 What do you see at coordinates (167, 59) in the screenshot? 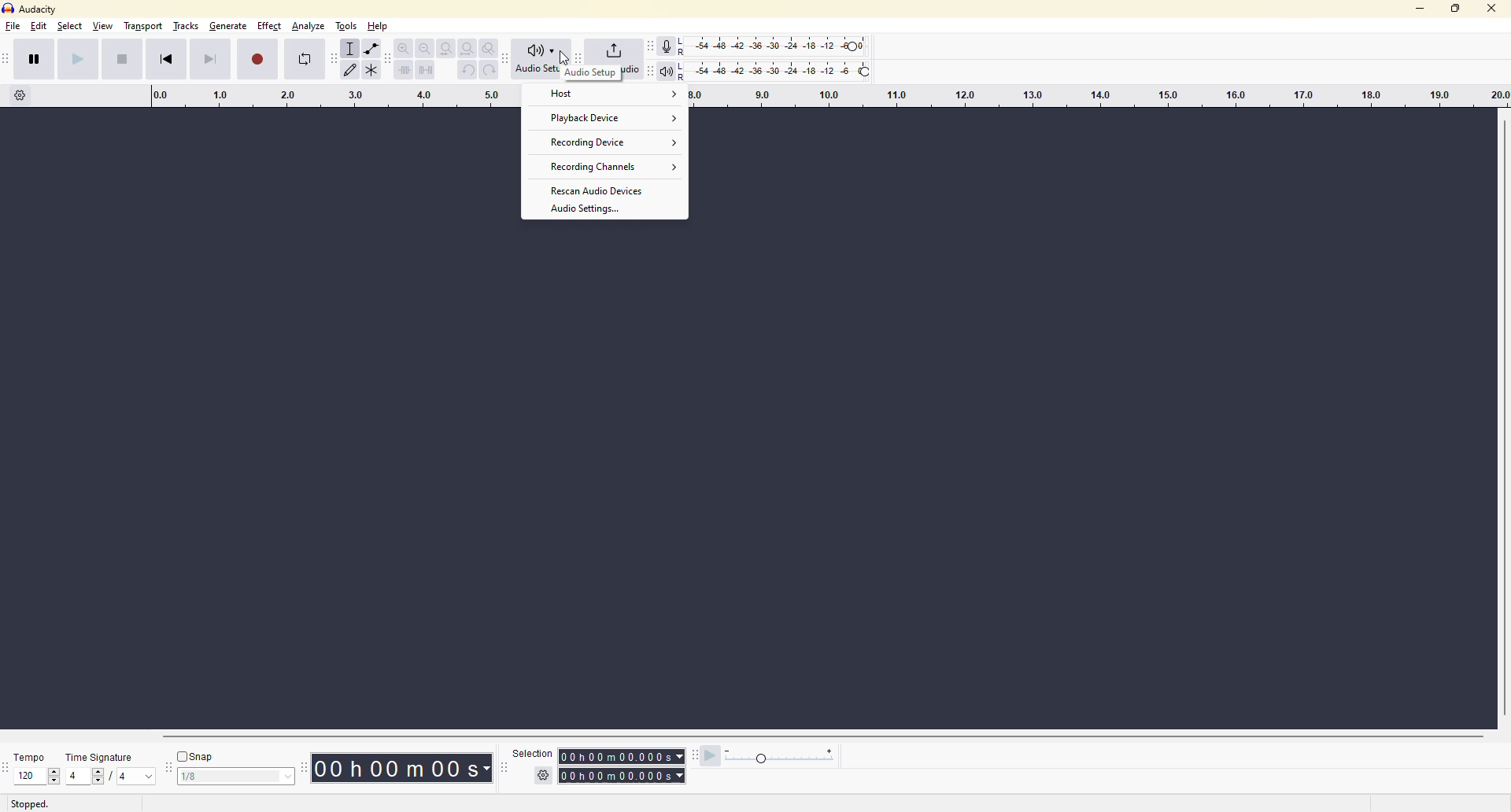
I see `skip to start` at bounding box center [167, 59].